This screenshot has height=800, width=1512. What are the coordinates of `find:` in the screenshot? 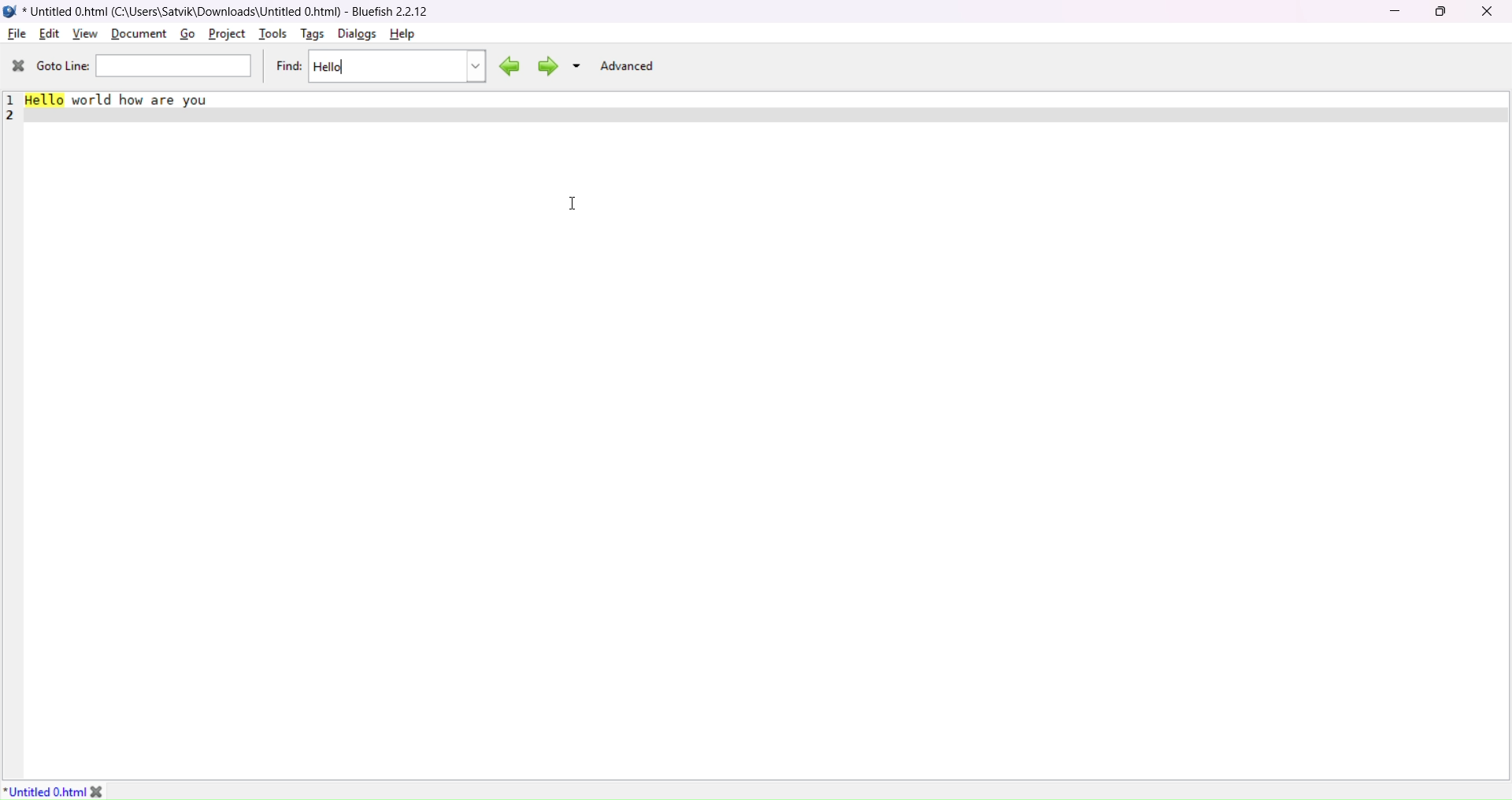 It's located at (288, 68).